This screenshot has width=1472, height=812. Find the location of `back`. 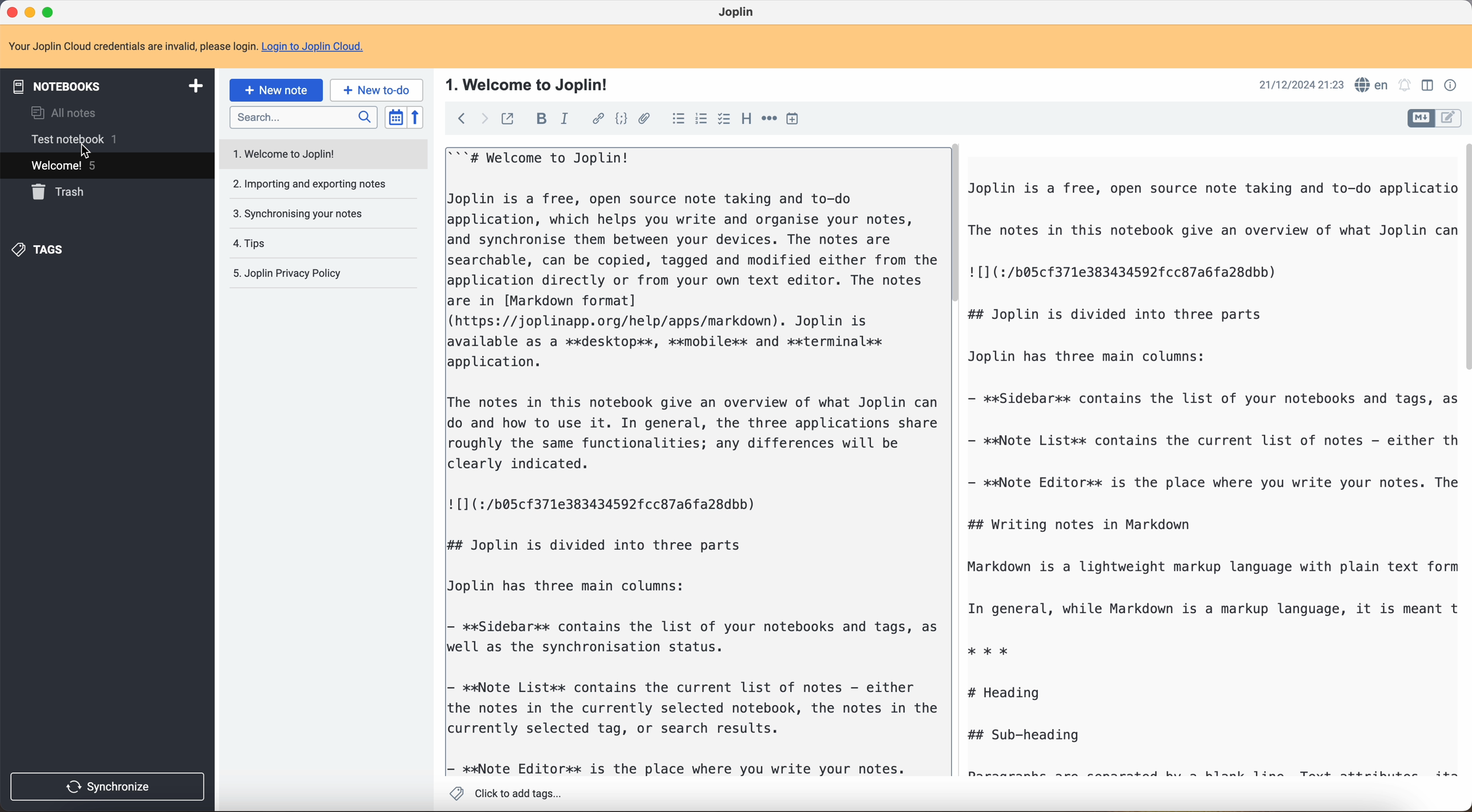

back is located at coordinates (461, 119).